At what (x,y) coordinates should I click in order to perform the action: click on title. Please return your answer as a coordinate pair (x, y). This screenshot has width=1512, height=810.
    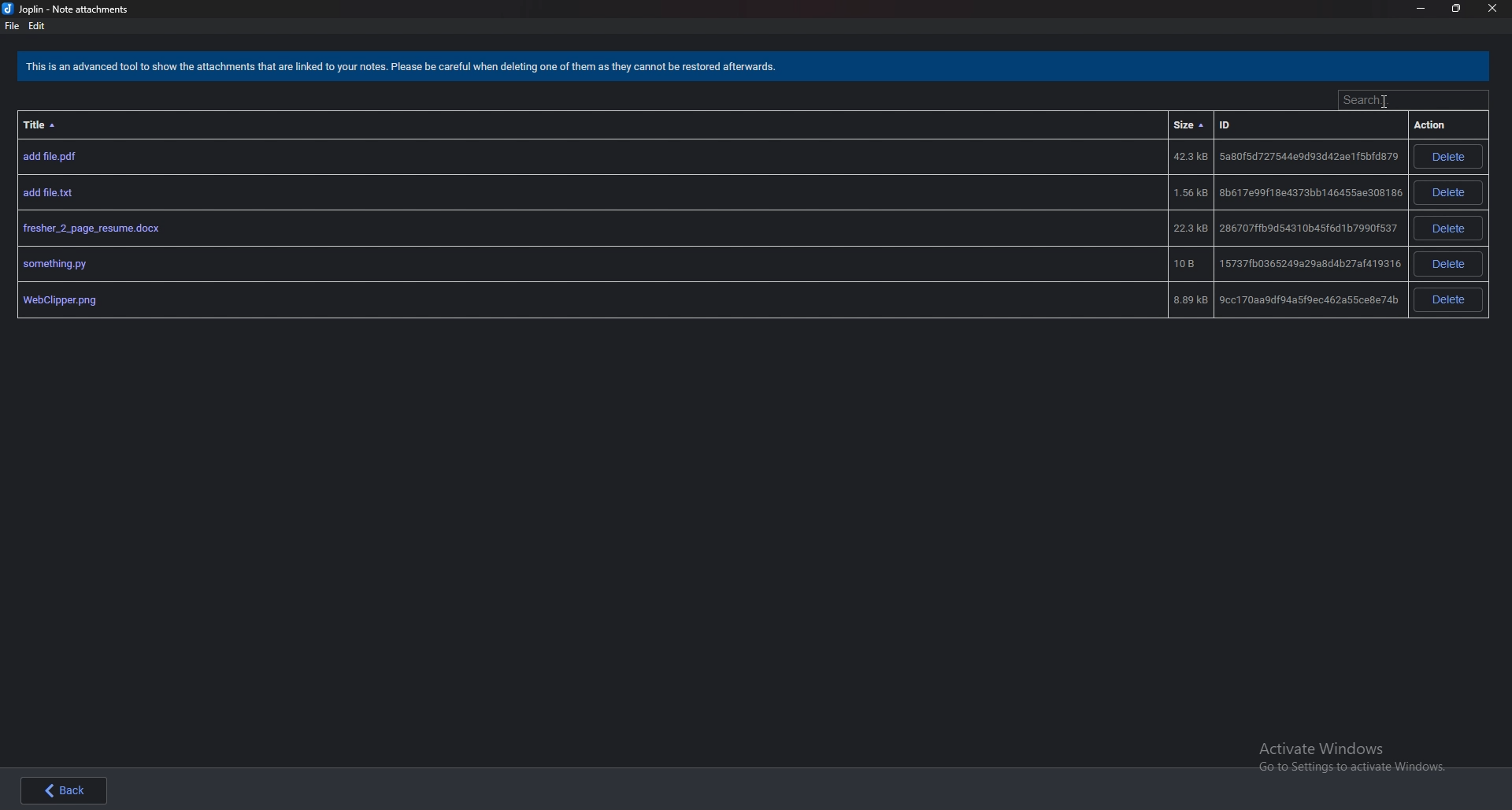
    Looking at the image, I should click on (48, 124).